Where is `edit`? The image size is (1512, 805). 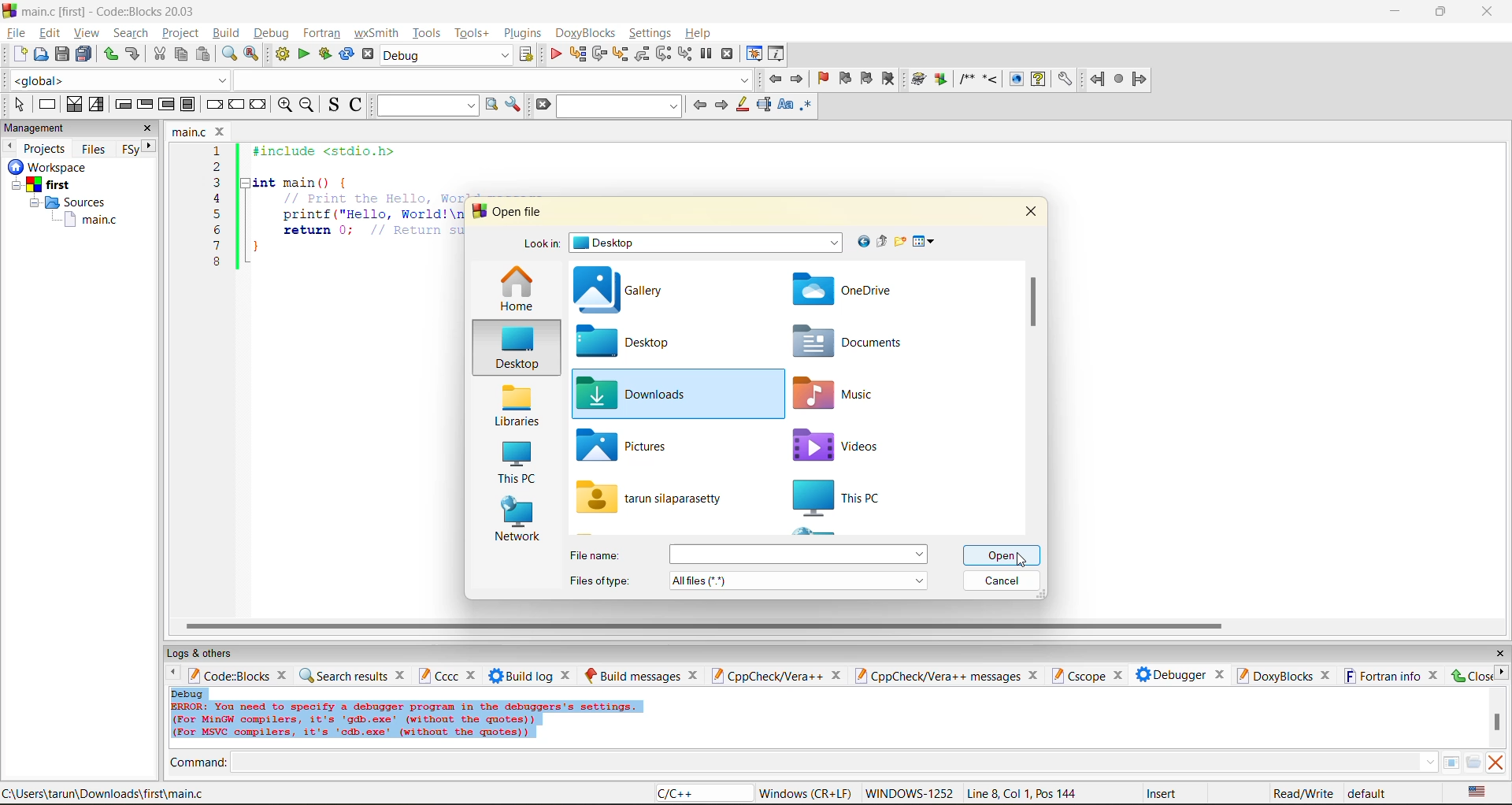
edit is located at coordinates (52, 33).